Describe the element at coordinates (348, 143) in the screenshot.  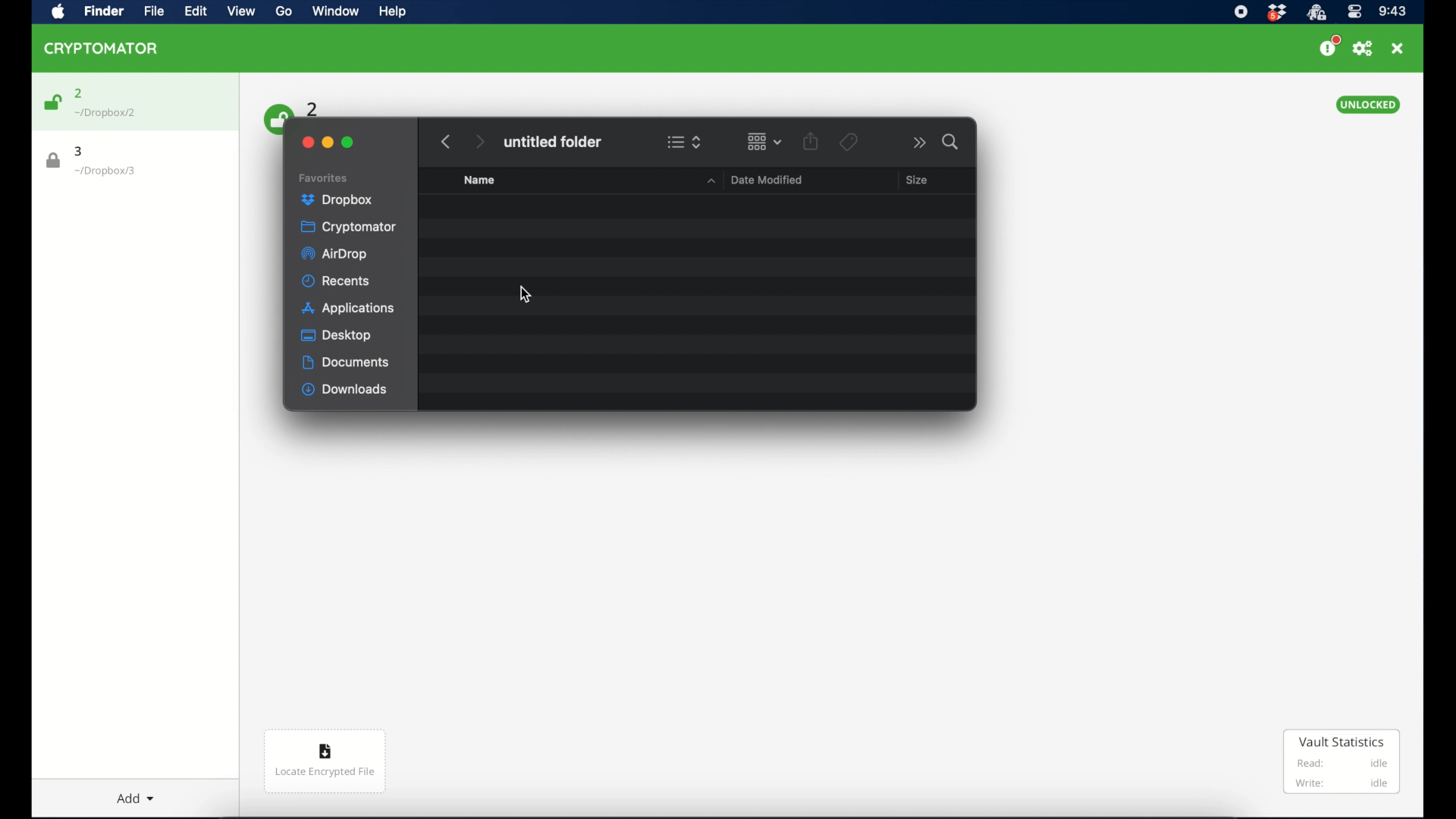
I see `maximize` at that location.